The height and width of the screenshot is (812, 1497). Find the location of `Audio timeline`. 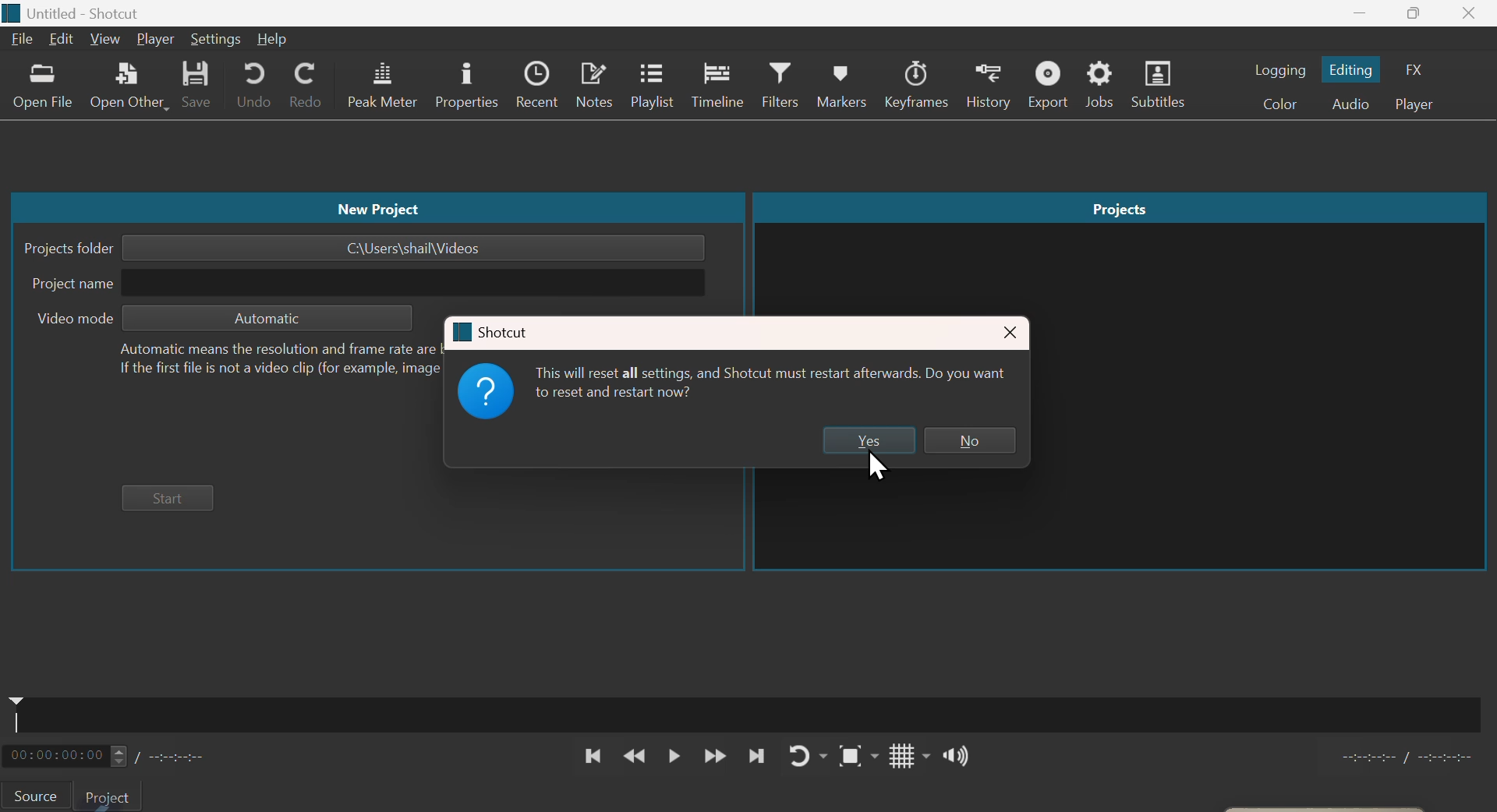

Audio timeline is located at coordinates (752, 711).